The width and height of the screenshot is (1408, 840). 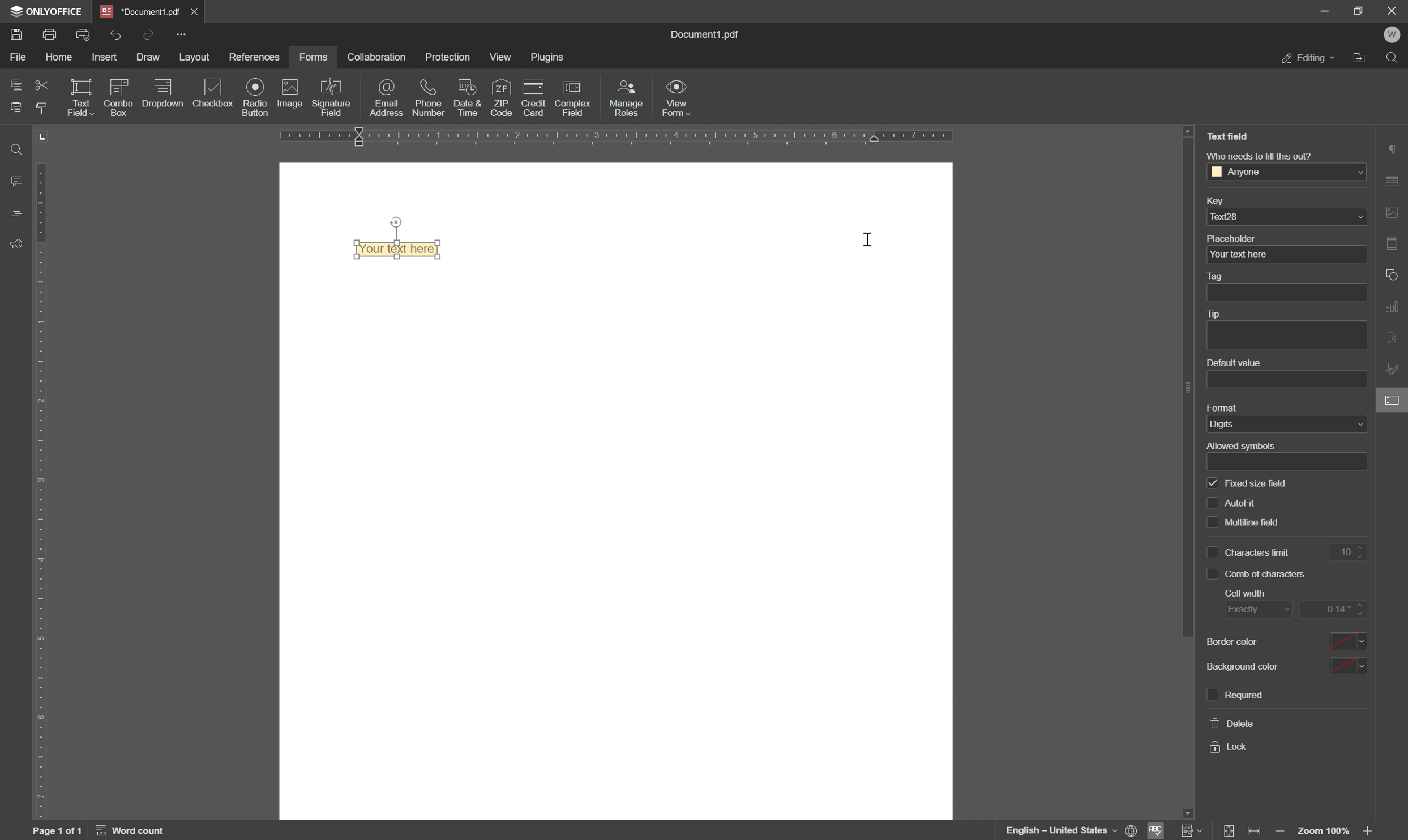 What do you see at coordinates (502, 98) in the screenshot?
I see `zip code` at bounding box center [502, 98].